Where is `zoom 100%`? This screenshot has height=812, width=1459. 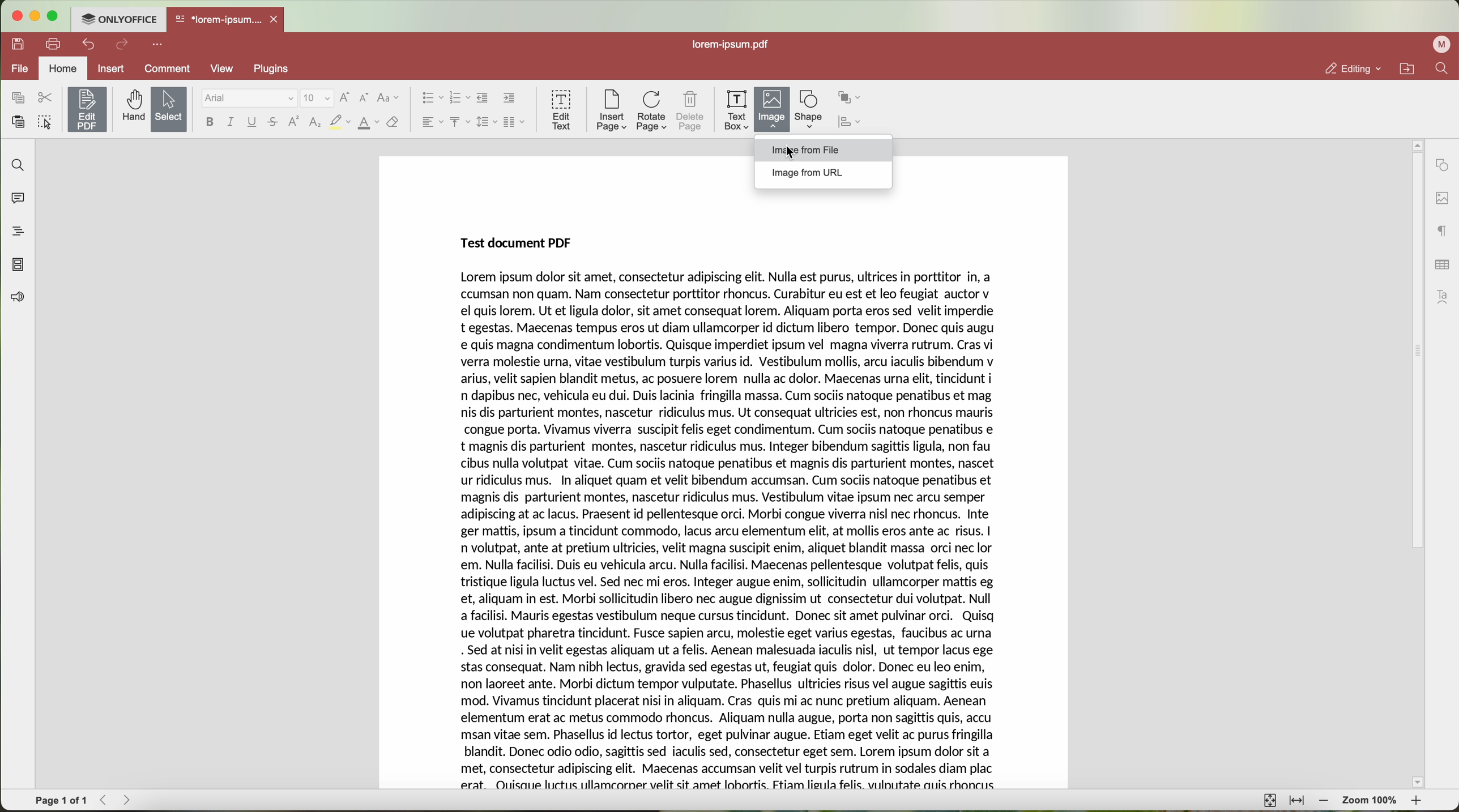
zoom 100% is located at coordinates (1371, 802).